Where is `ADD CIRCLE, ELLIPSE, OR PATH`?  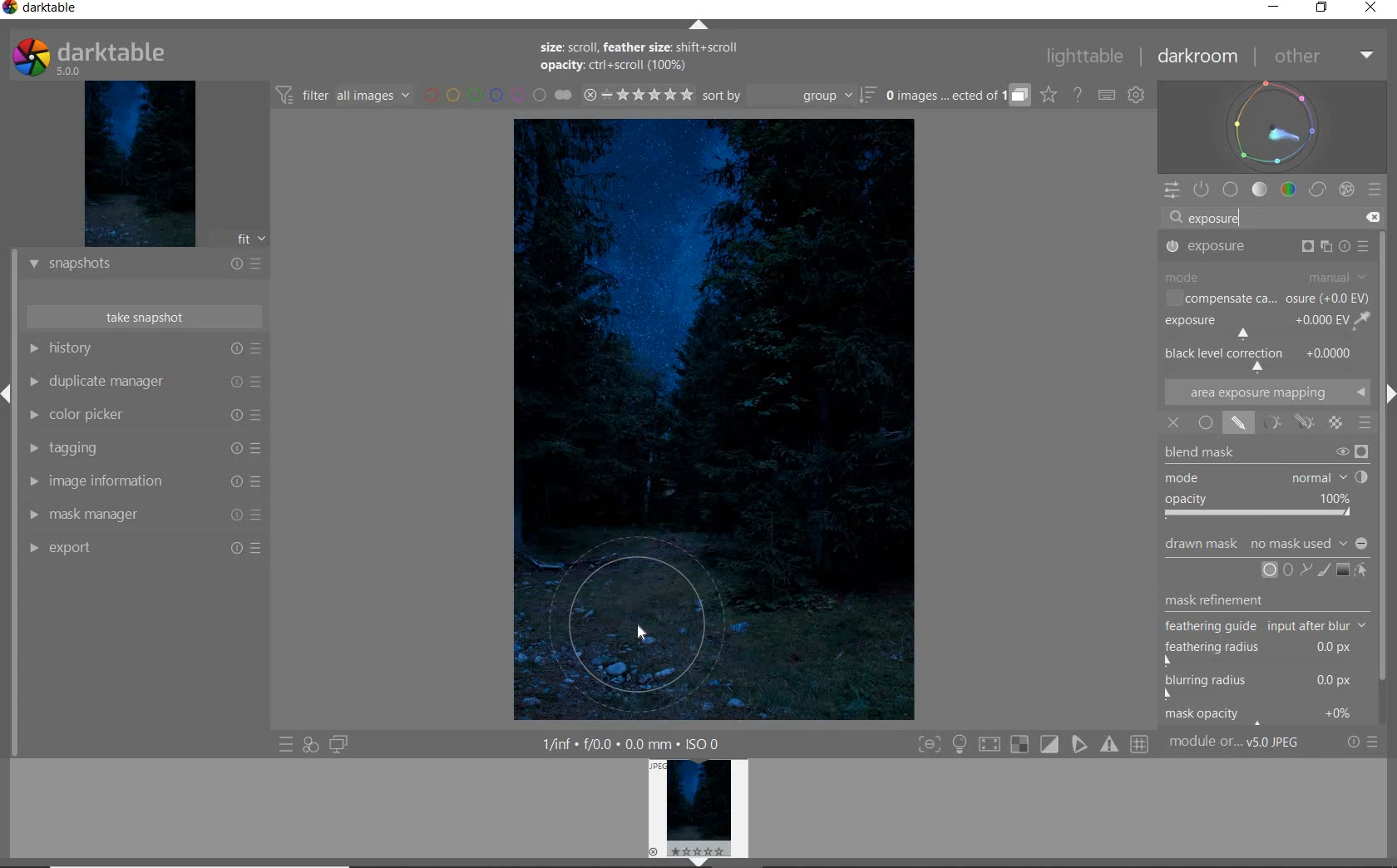
ADD CIRCLE, ELLIPSE, OR PATH is located at coordinates (1299, 570).